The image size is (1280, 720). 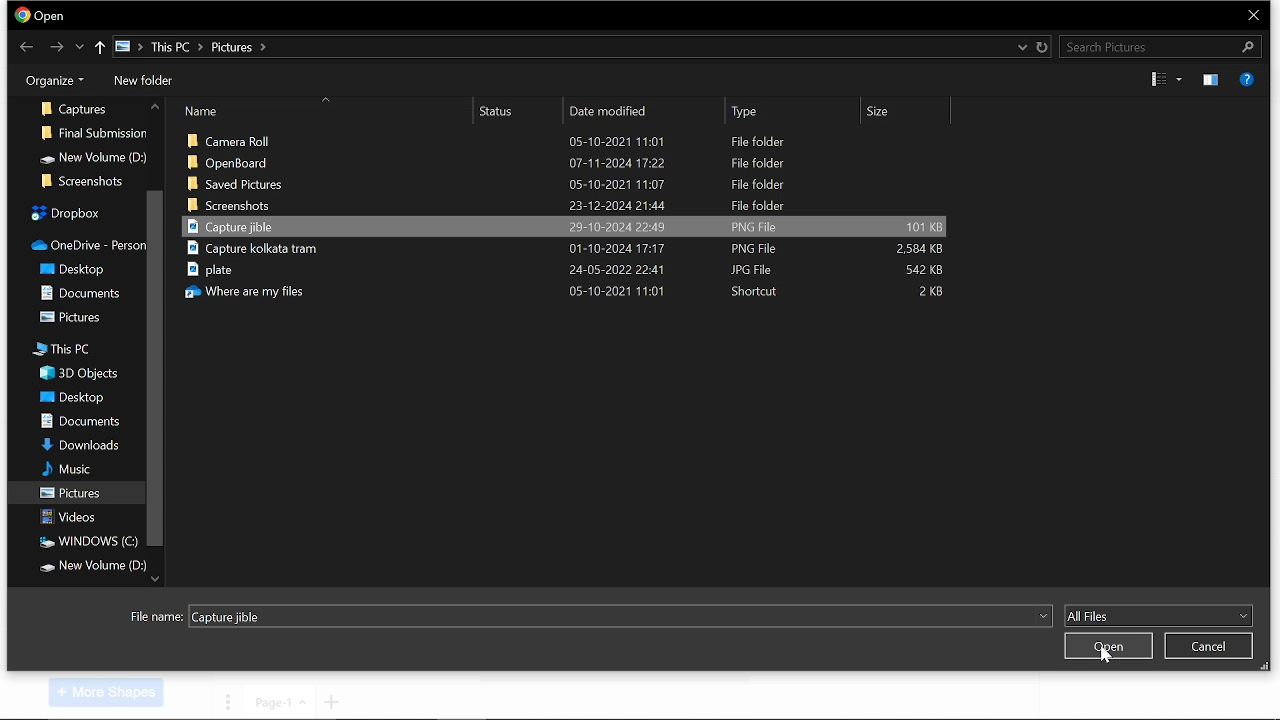 What do you see at coordinates (74, 104) in the screenshot?
I see `folders` at bounding box center [74, 104].